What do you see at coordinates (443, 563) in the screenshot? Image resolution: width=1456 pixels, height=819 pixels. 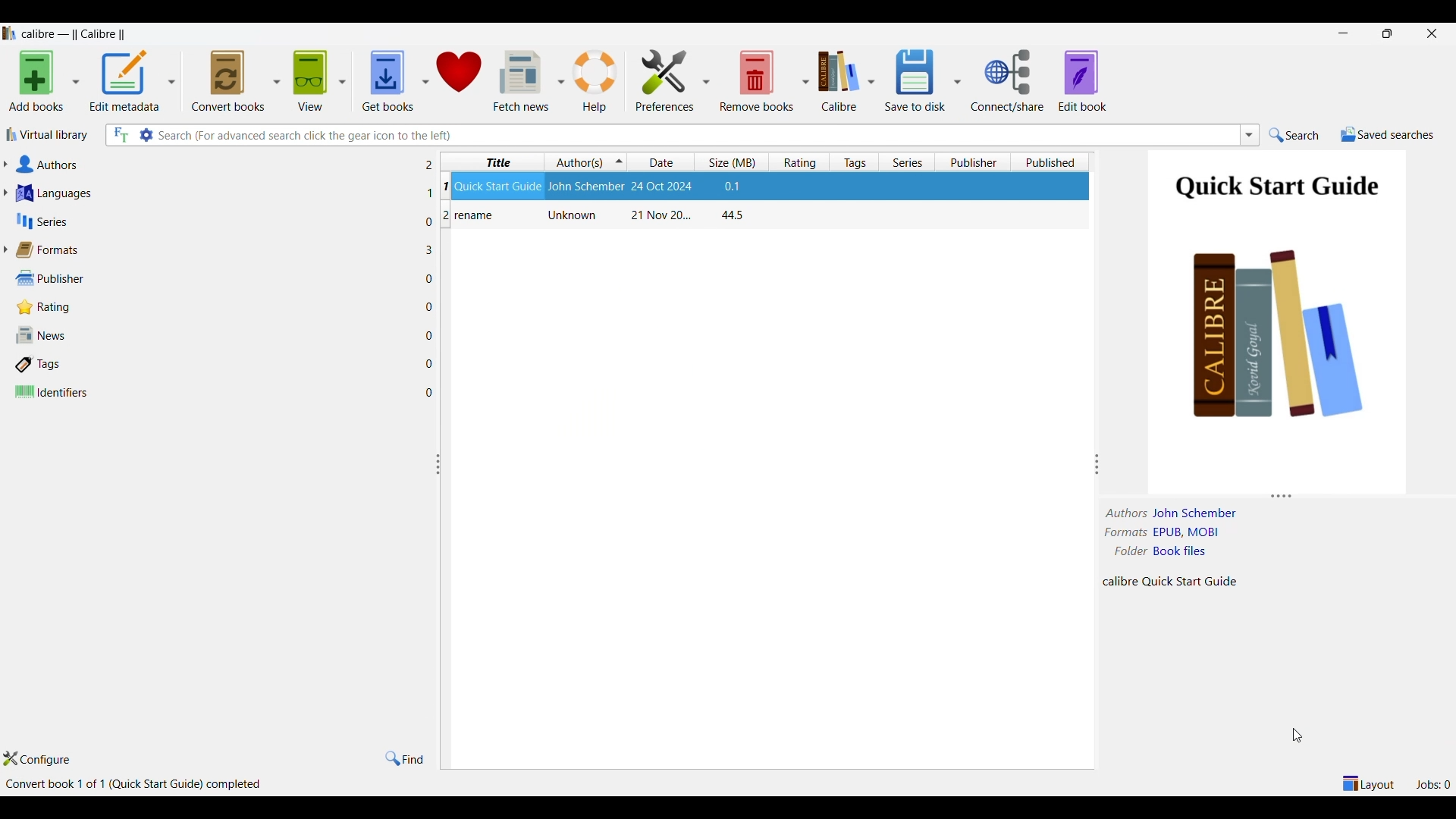 I see `Change width of panels attached ` at bounding box center [443, 563].